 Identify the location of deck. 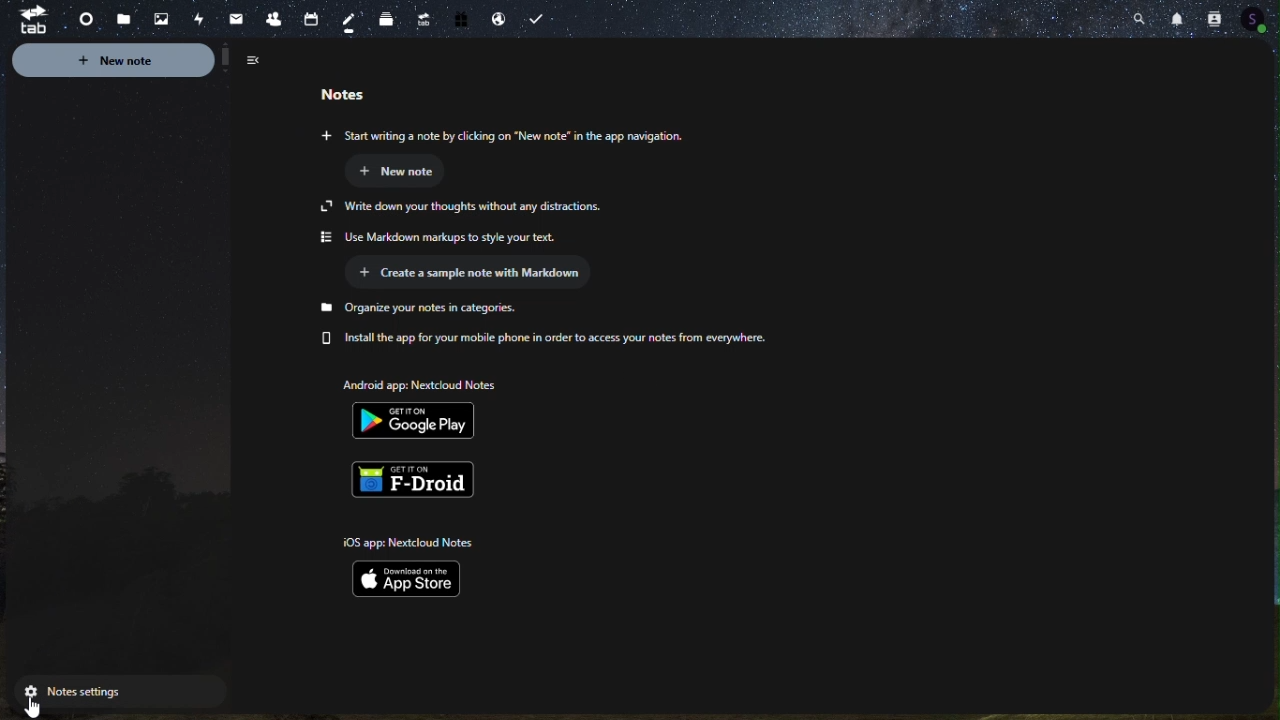
(388, 20).